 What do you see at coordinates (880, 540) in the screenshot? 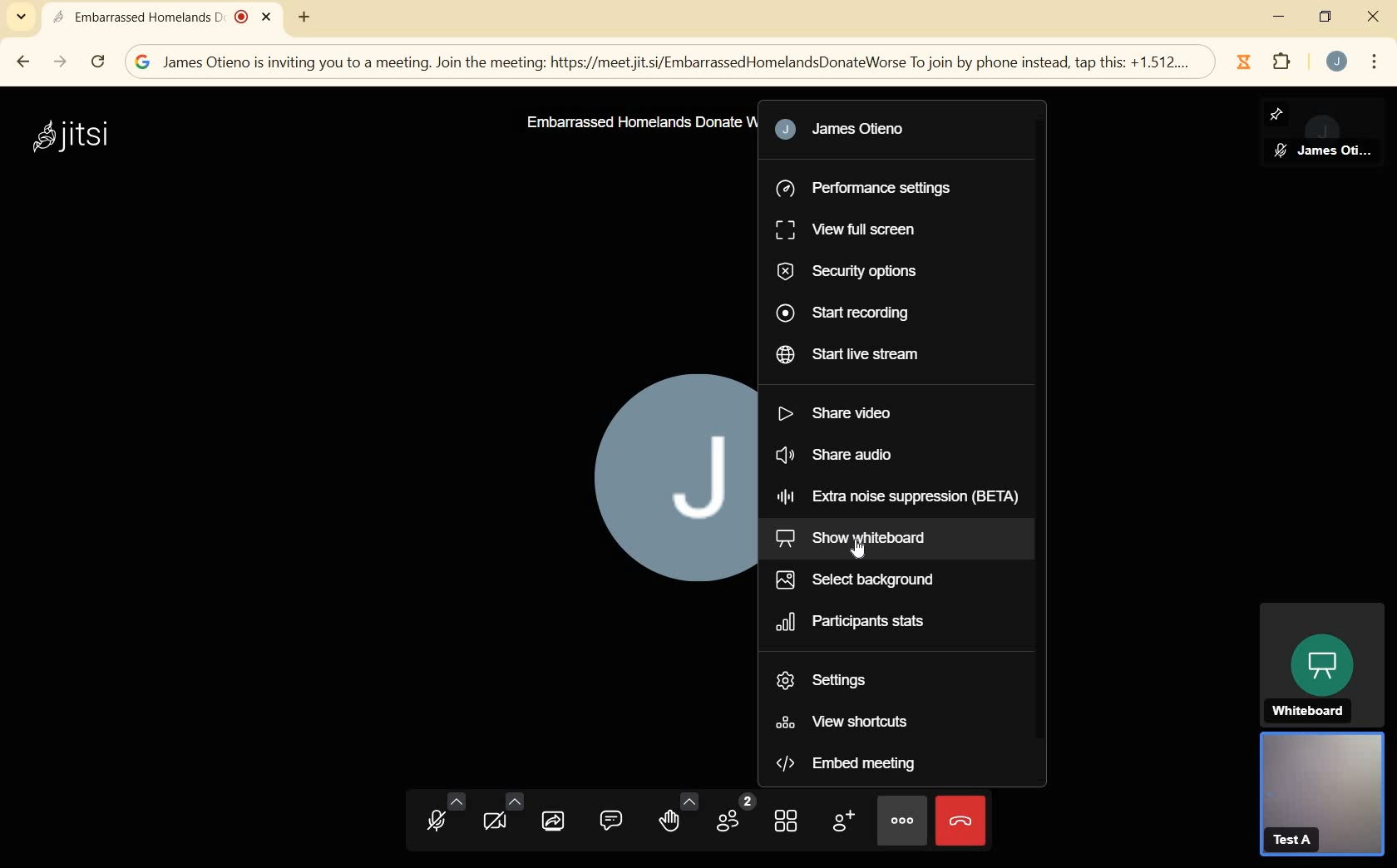
I see `SHOW WHITEBOARD` at bounding box center [880, 540].